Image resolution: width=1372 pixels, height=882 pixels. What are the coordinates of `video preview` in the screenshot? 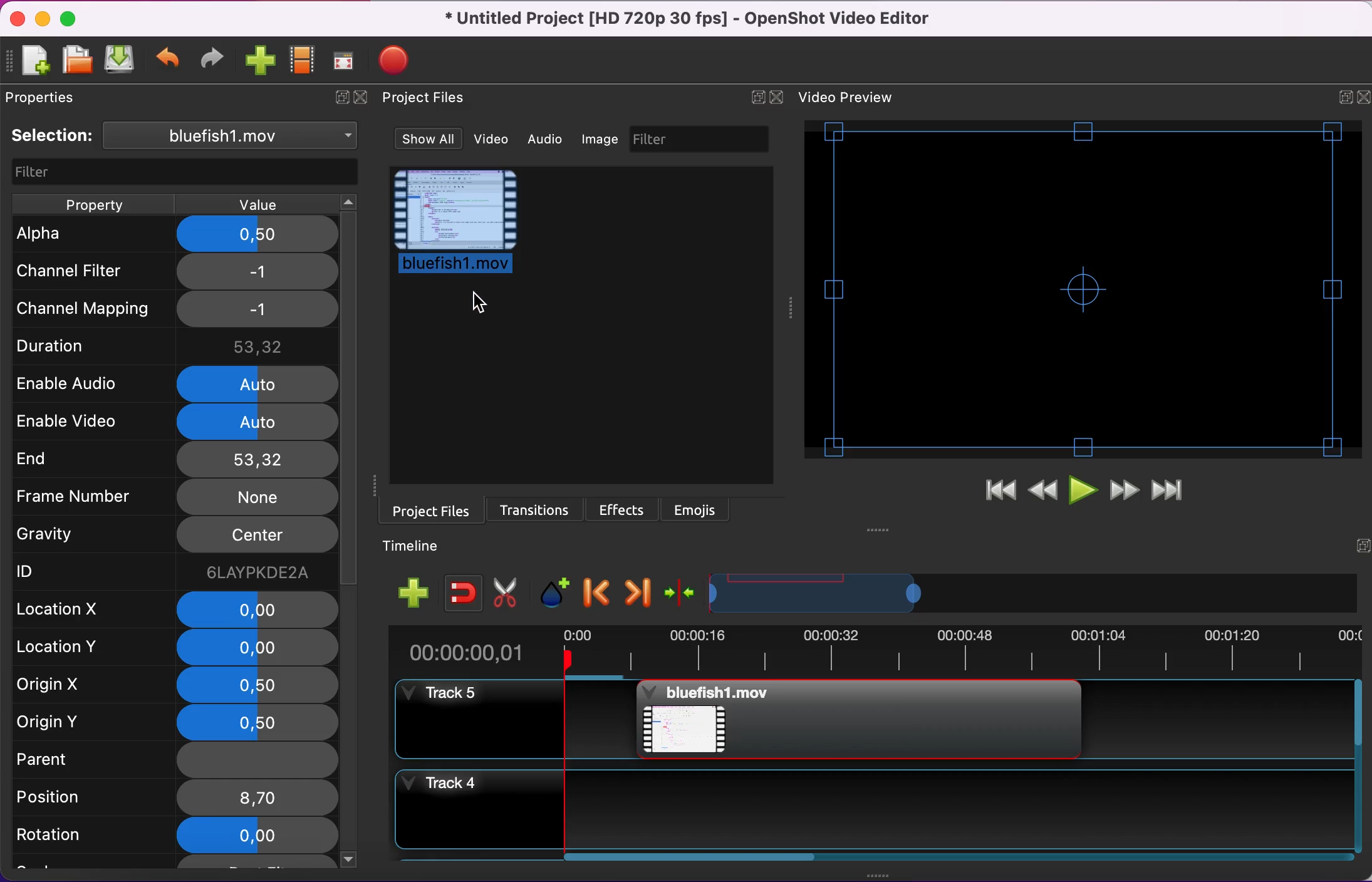 It's located at (855, 98).